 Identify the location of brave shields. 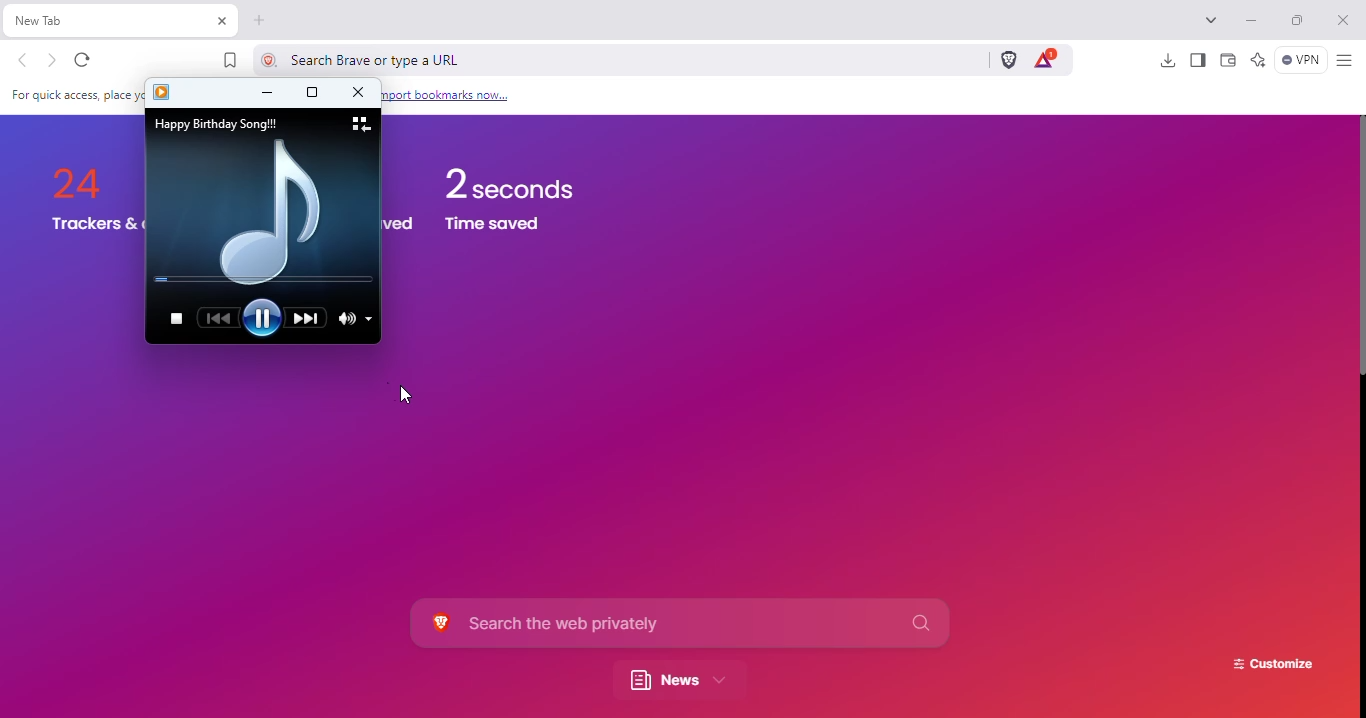
(1009, 59).